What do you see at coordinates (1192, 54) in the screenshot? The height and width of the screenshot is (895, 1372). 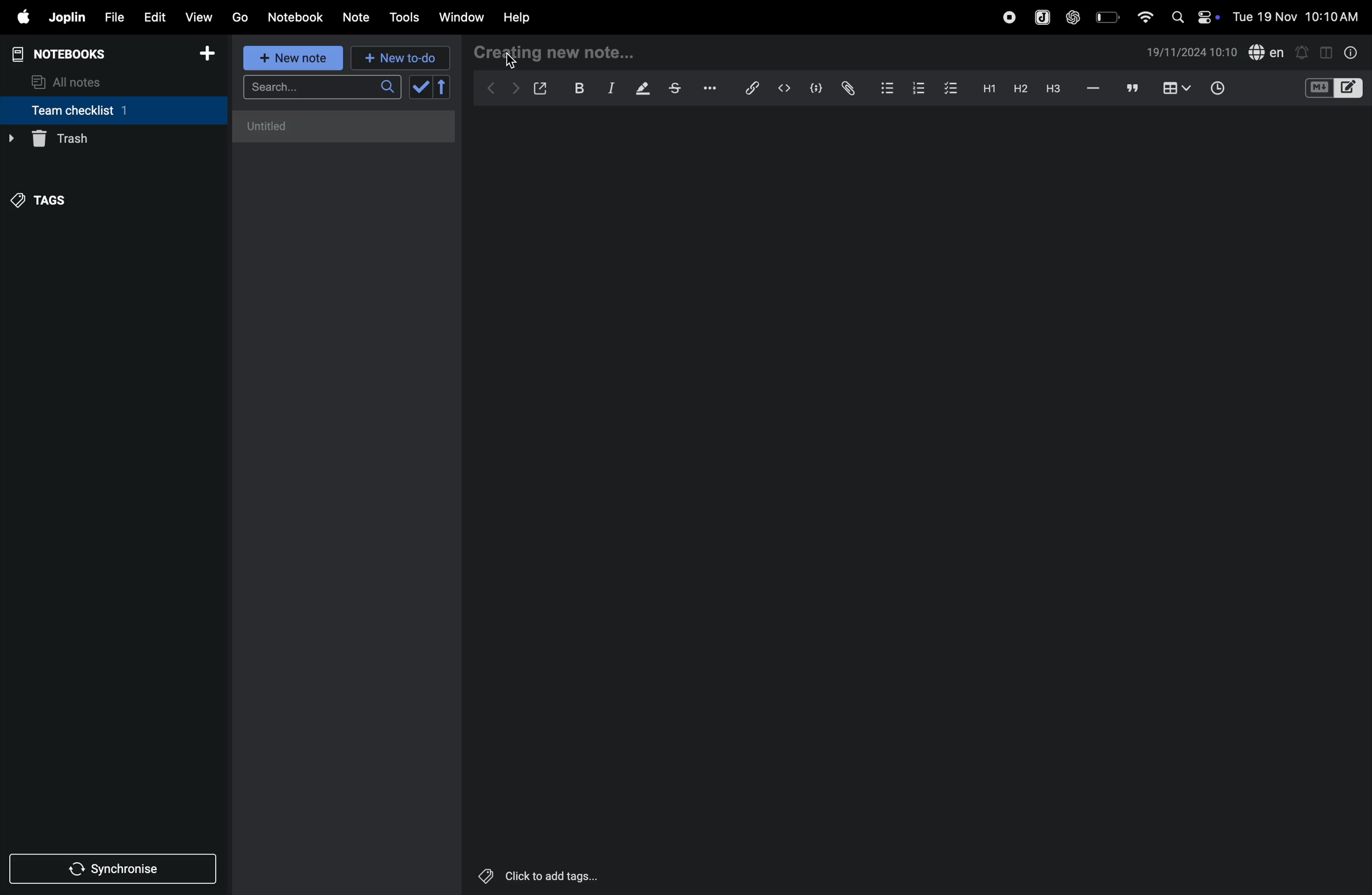 I see `date and time` at bounding box center [1192, 54].